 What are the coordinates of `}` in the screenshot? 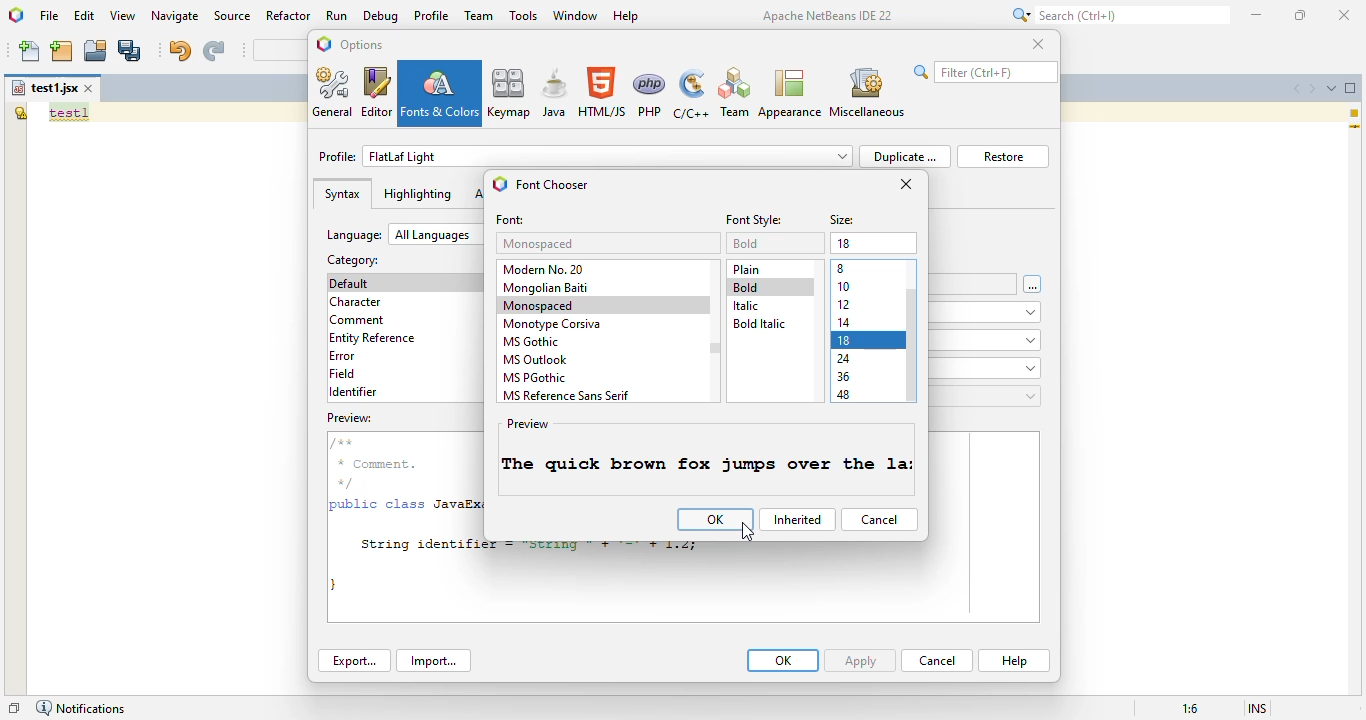 It's located at (336, 583).